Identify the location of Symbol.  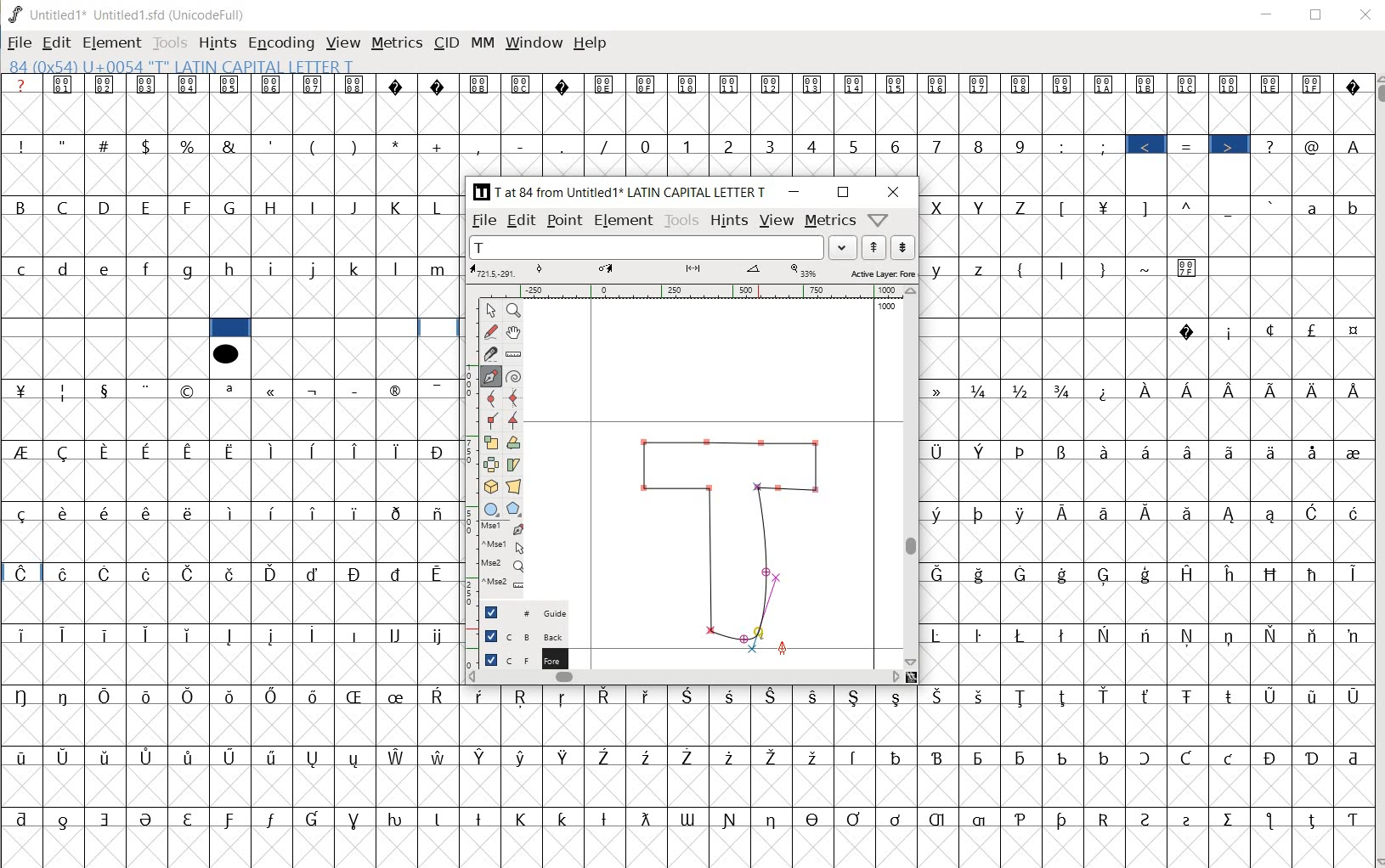
(438, 451).